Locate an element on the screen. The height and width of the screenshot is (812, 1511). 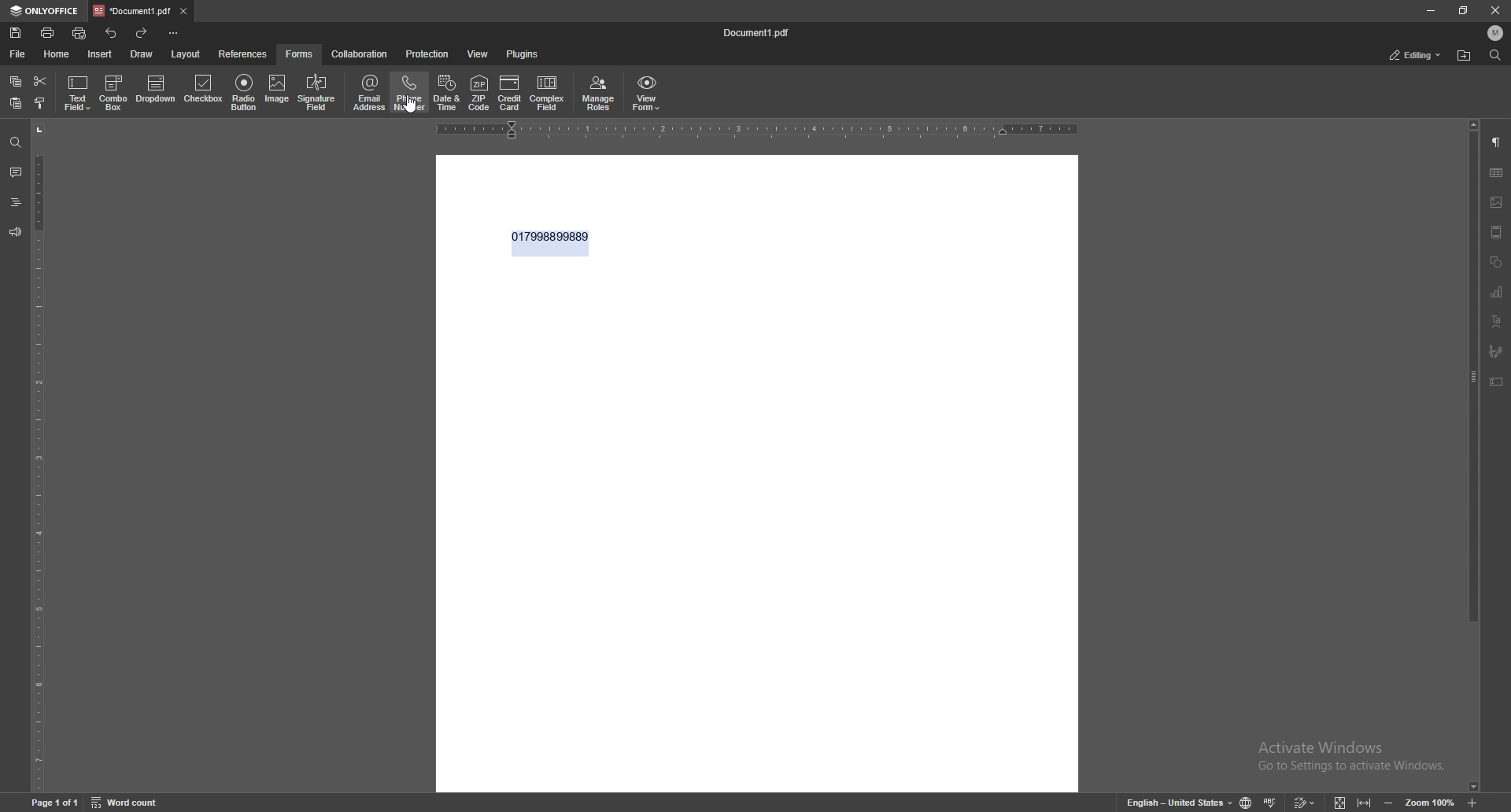
onlyoffice is located at coordinates (46, 11).